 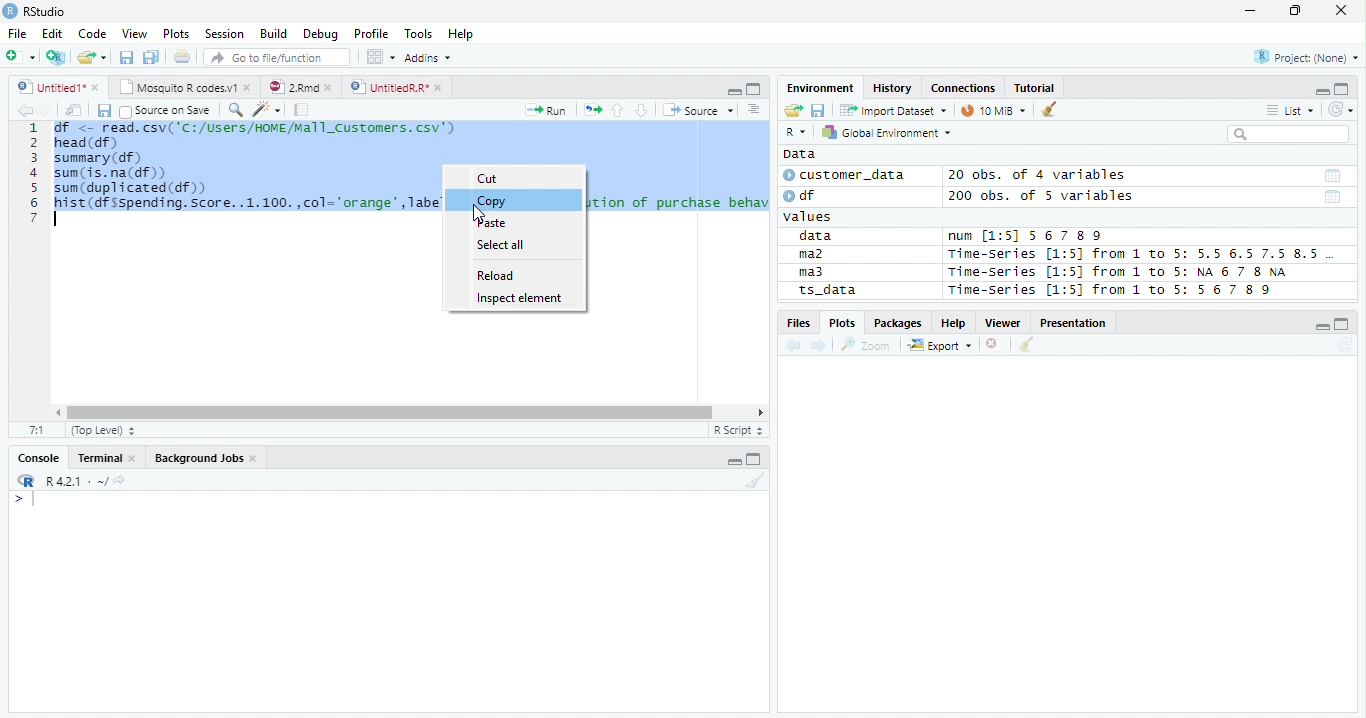 I want to click on Open folder, so click(x=791, y=111).